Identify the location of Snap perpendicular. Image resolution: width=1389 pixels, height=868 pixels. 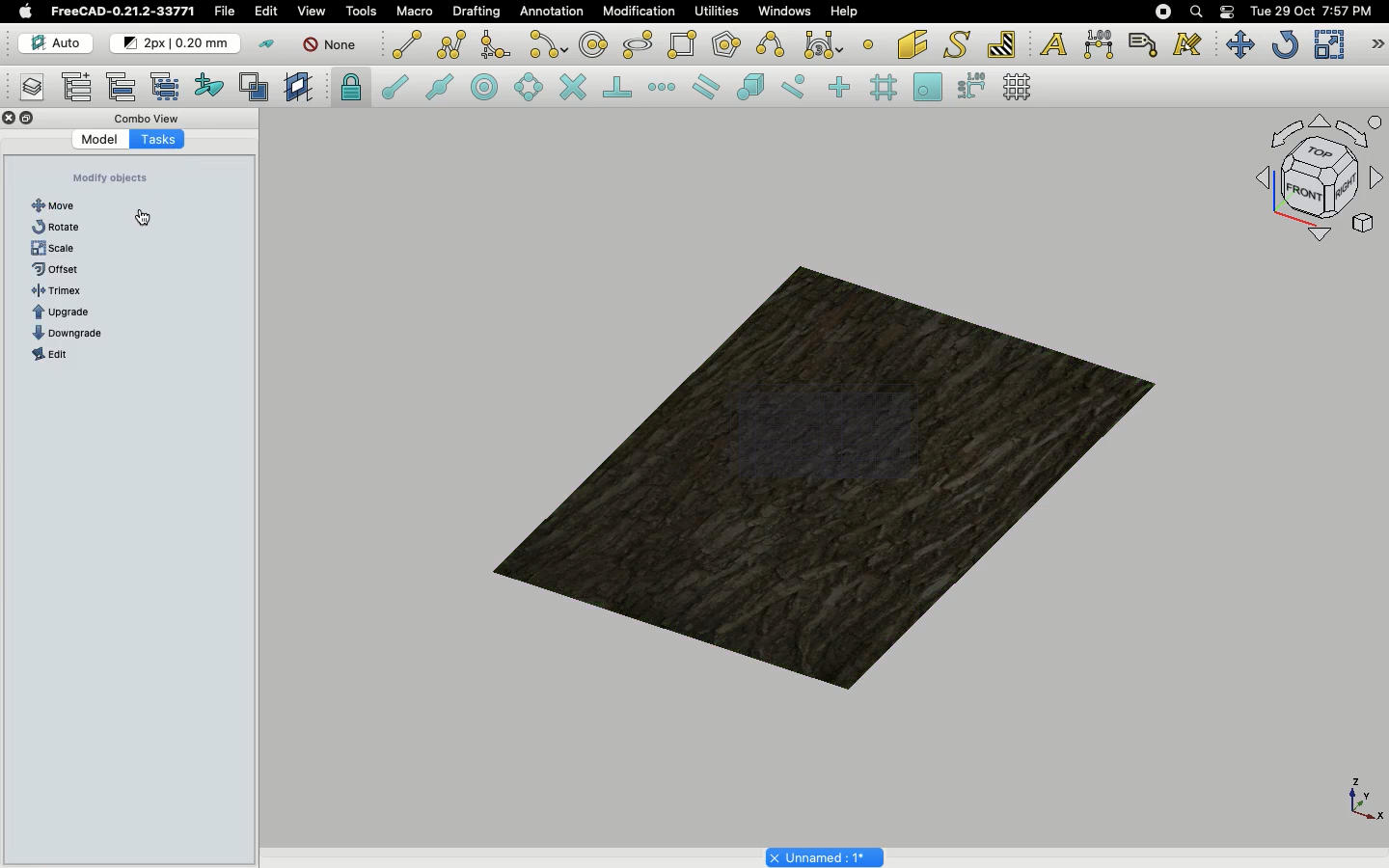
(620, 89).